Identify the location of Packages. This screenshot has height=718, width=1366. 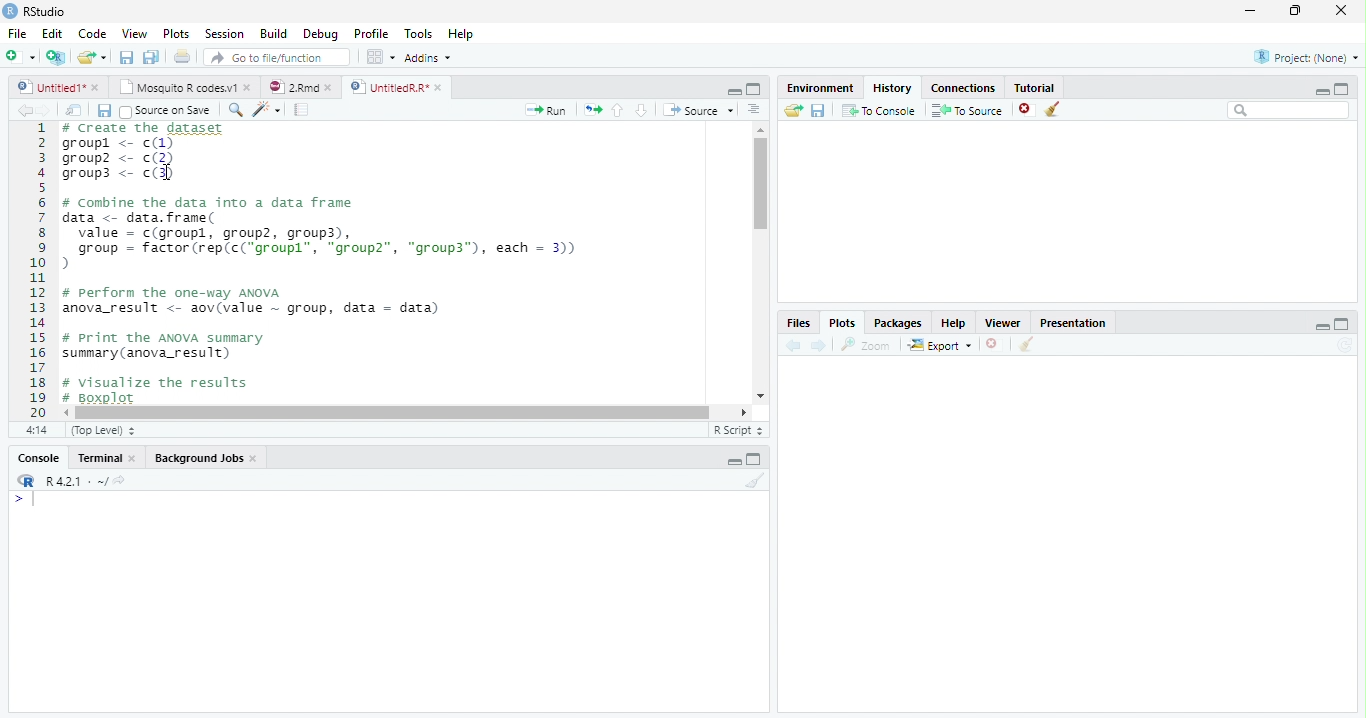
(900, 323).